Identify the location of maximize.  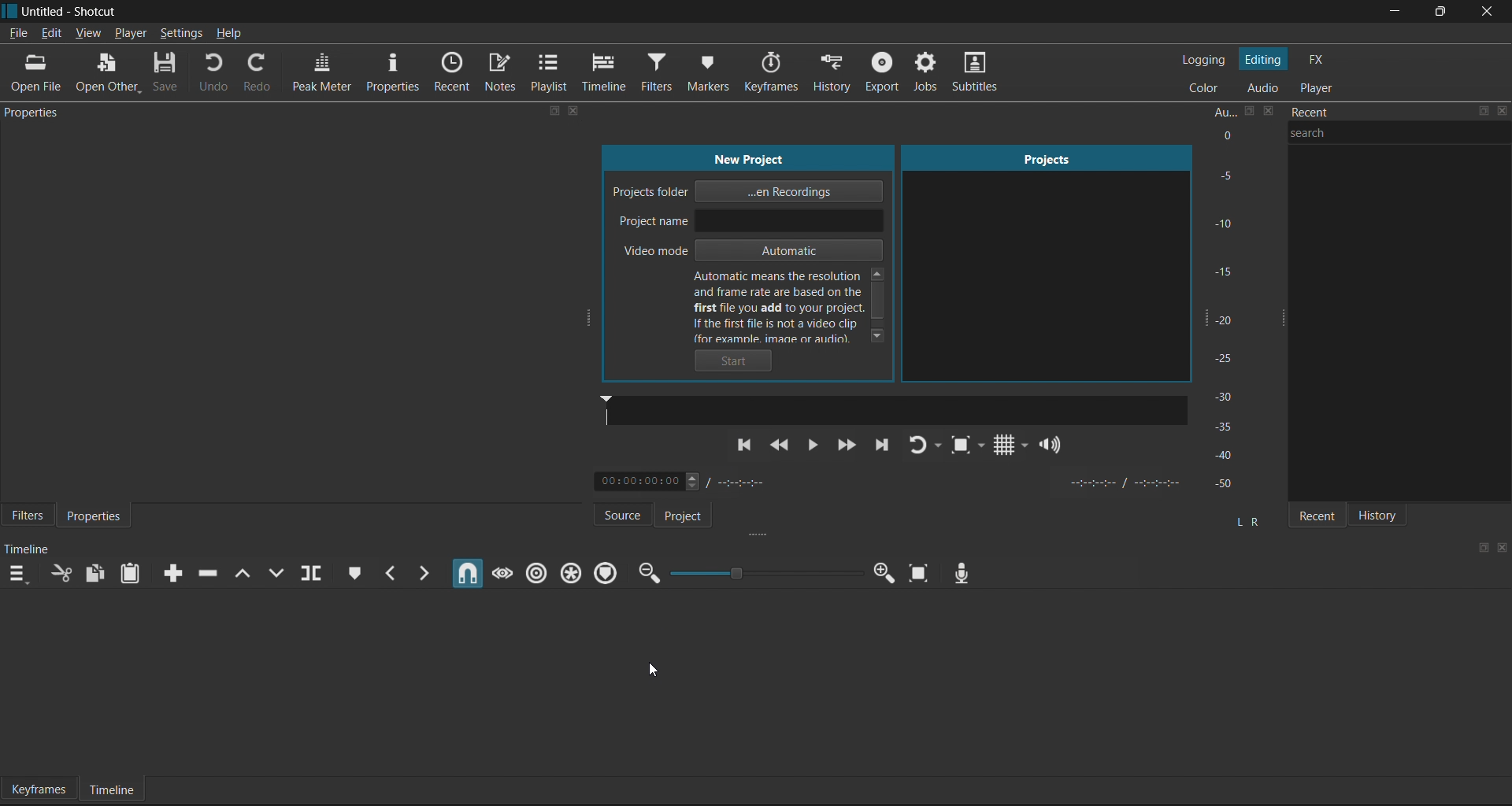
(1481, 547).